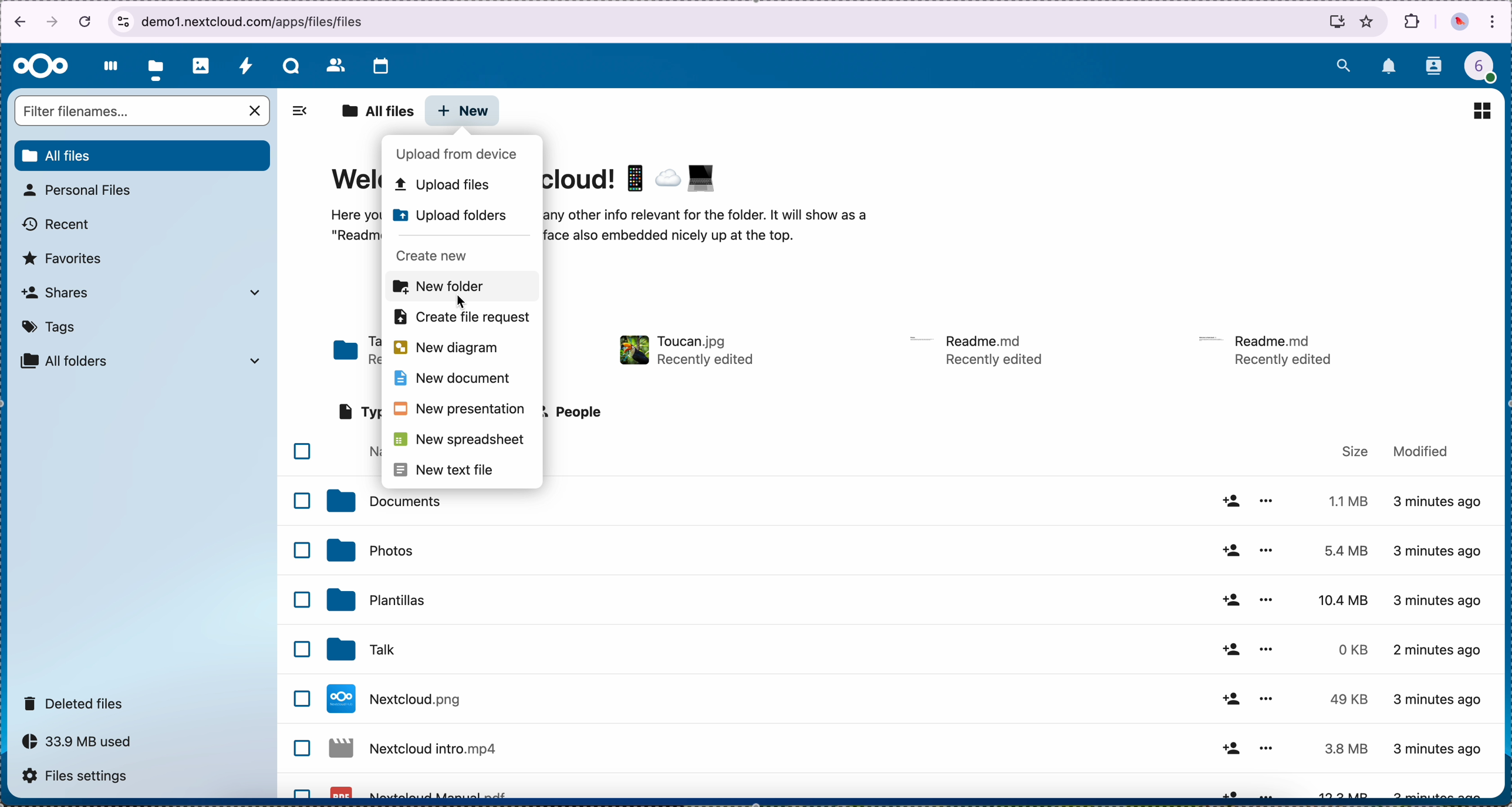  I want to click on photos, so click(201, 66).